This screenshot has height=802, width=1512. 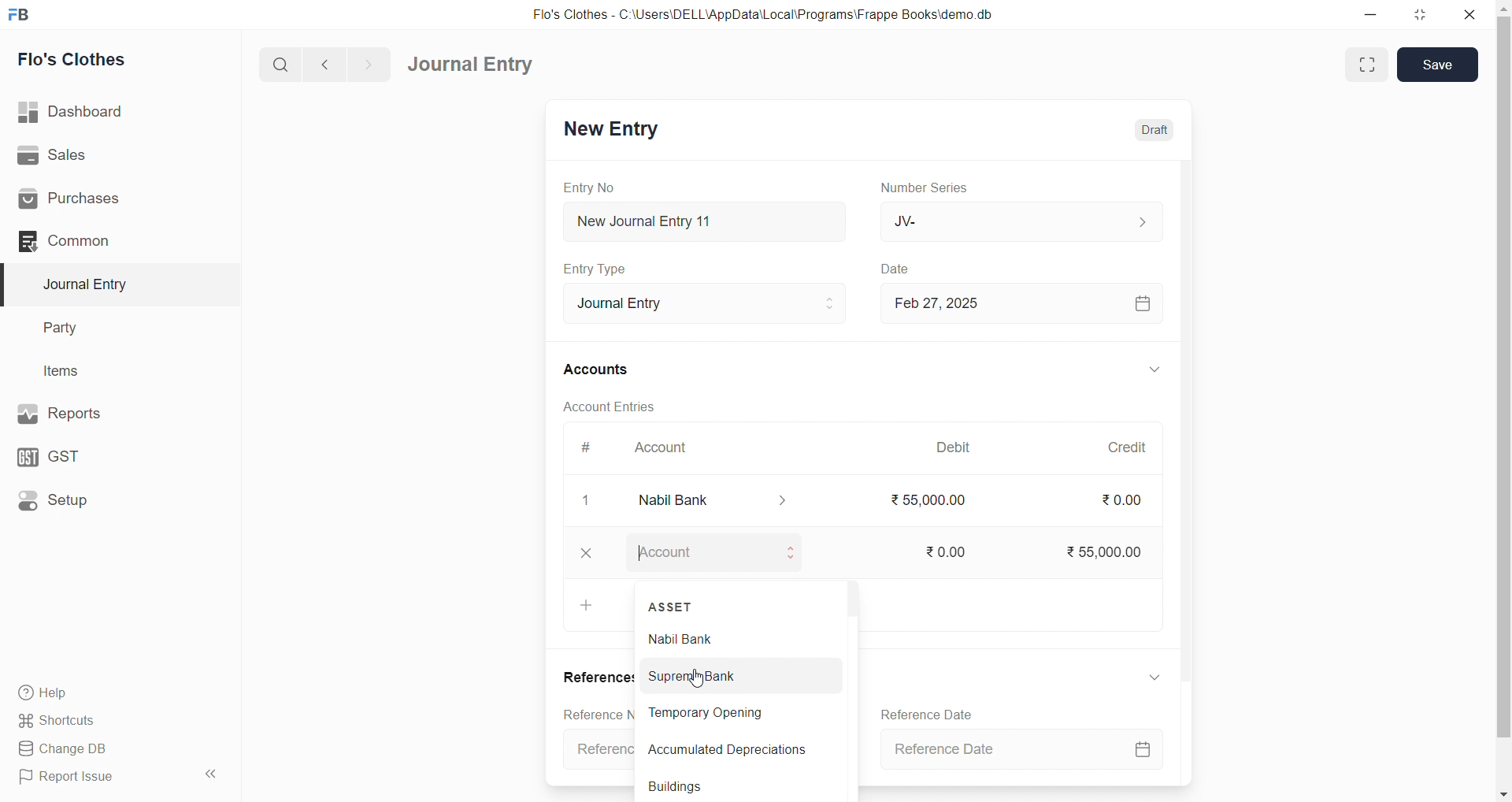 I want to click on Entry No, so click(x=592, y=188).